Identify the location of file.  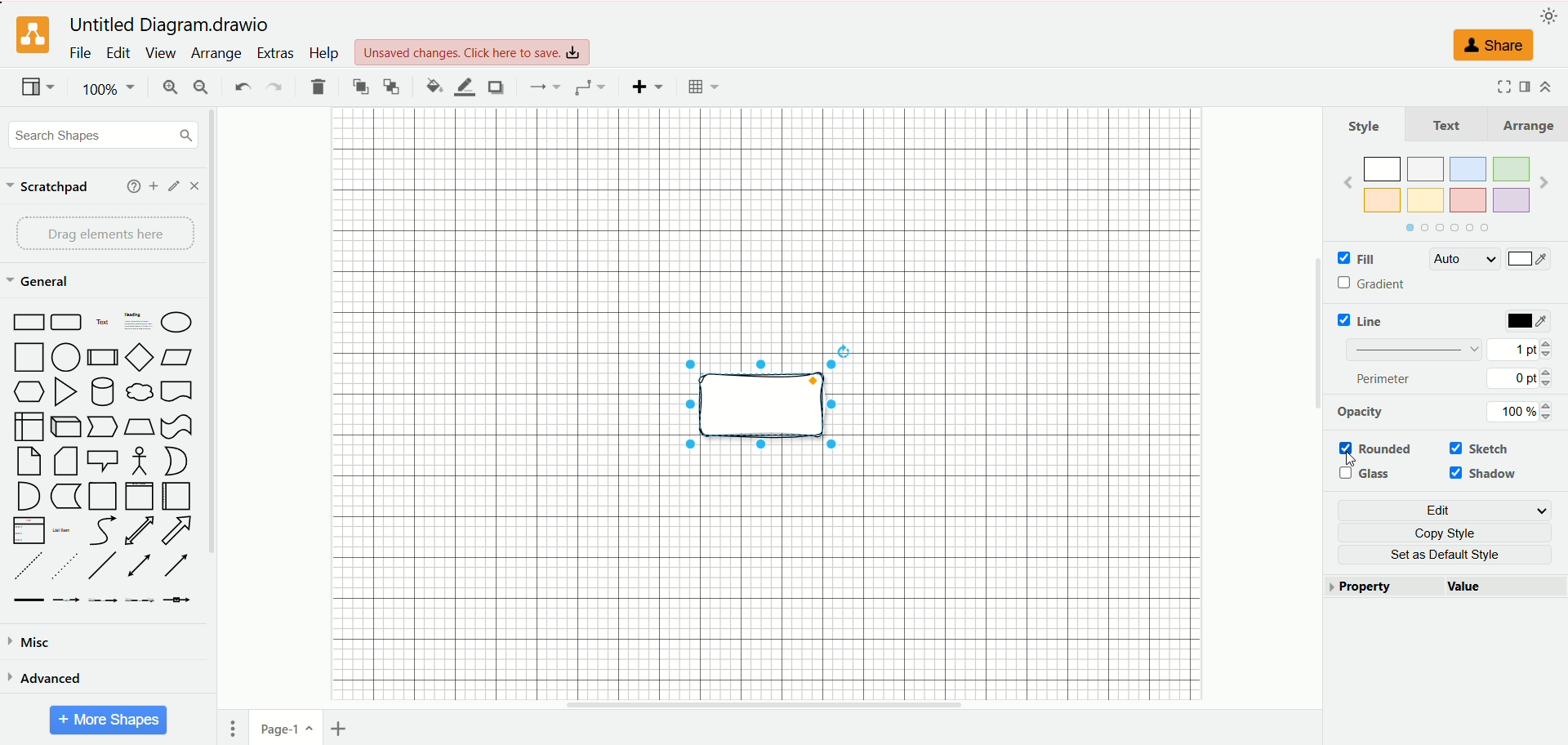
(81, 52).